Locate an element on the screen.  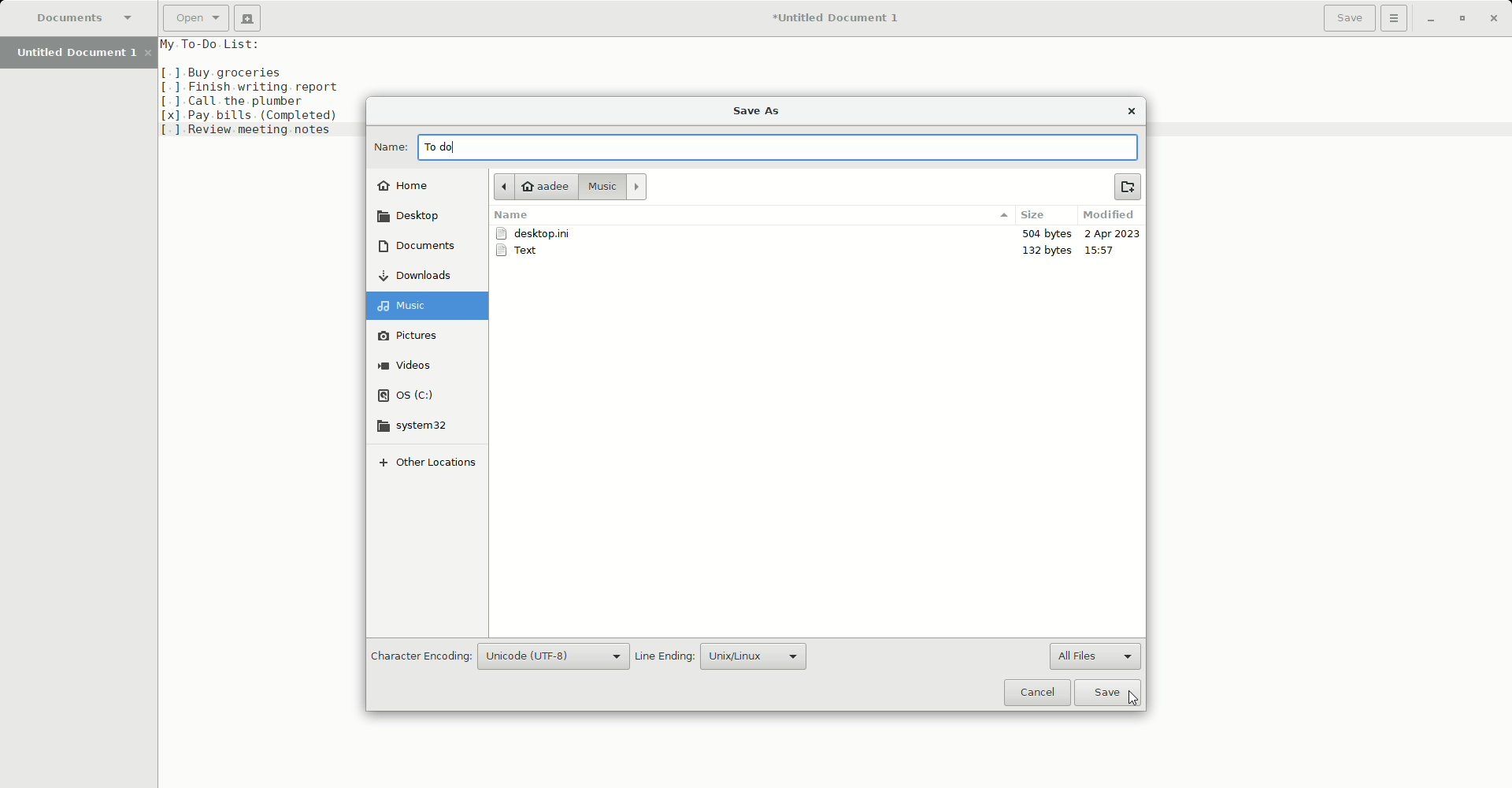
OS is located at coordinates (416, 392).